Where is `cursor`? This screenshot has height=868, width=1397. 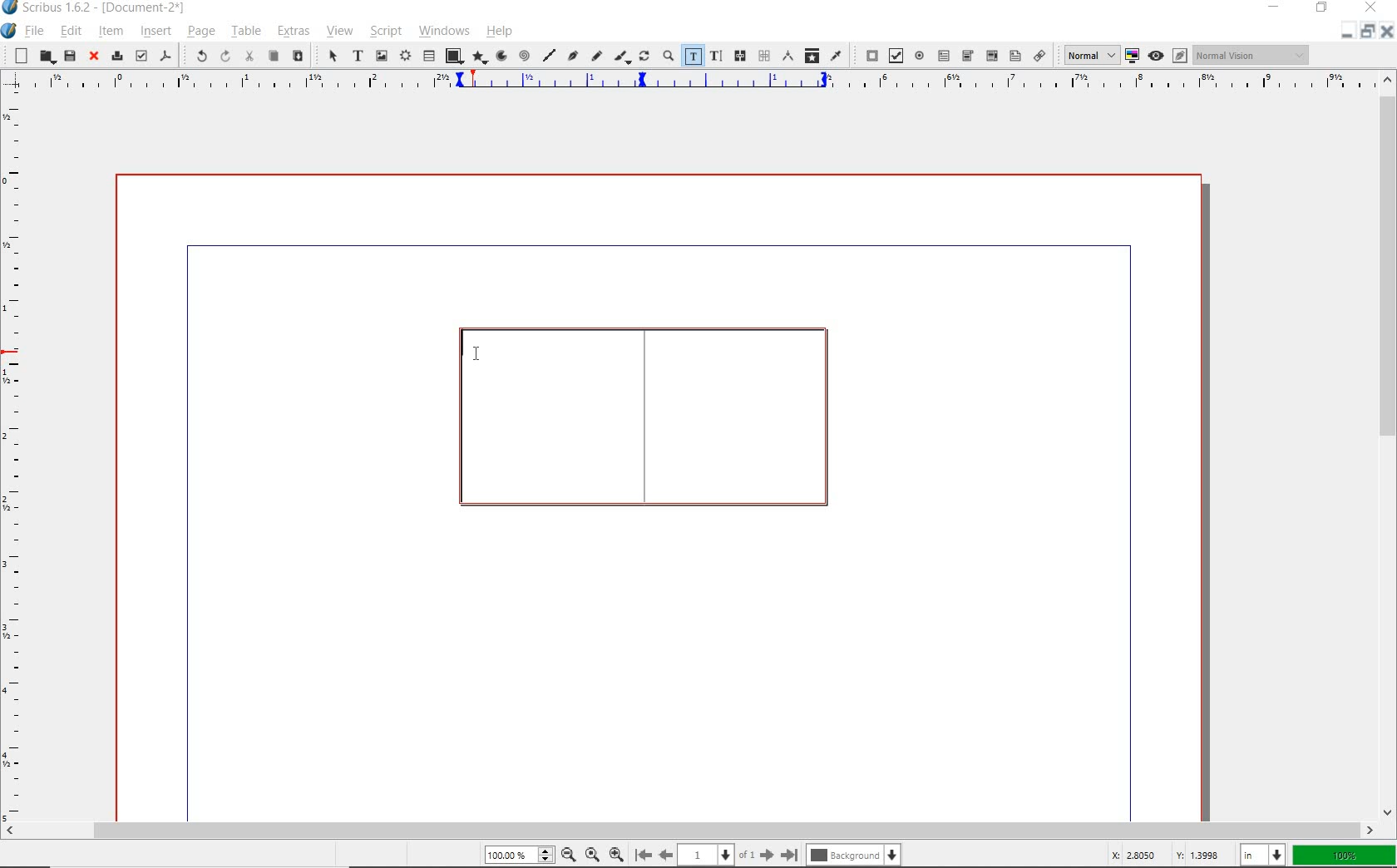
cursor is located at coordinates (481, 355).